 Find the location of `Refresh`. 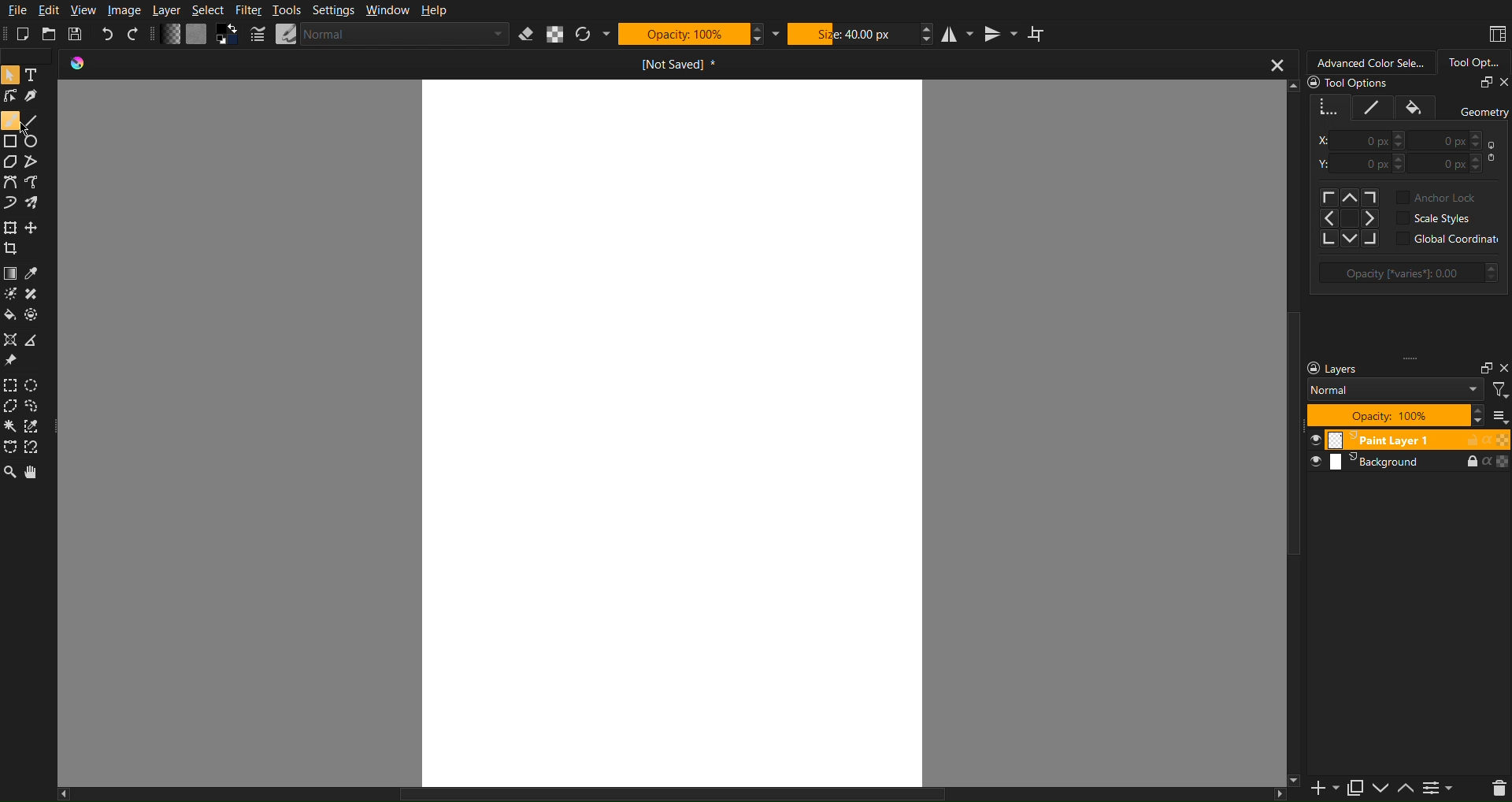

Refresh is located at coordinates (583, 34).